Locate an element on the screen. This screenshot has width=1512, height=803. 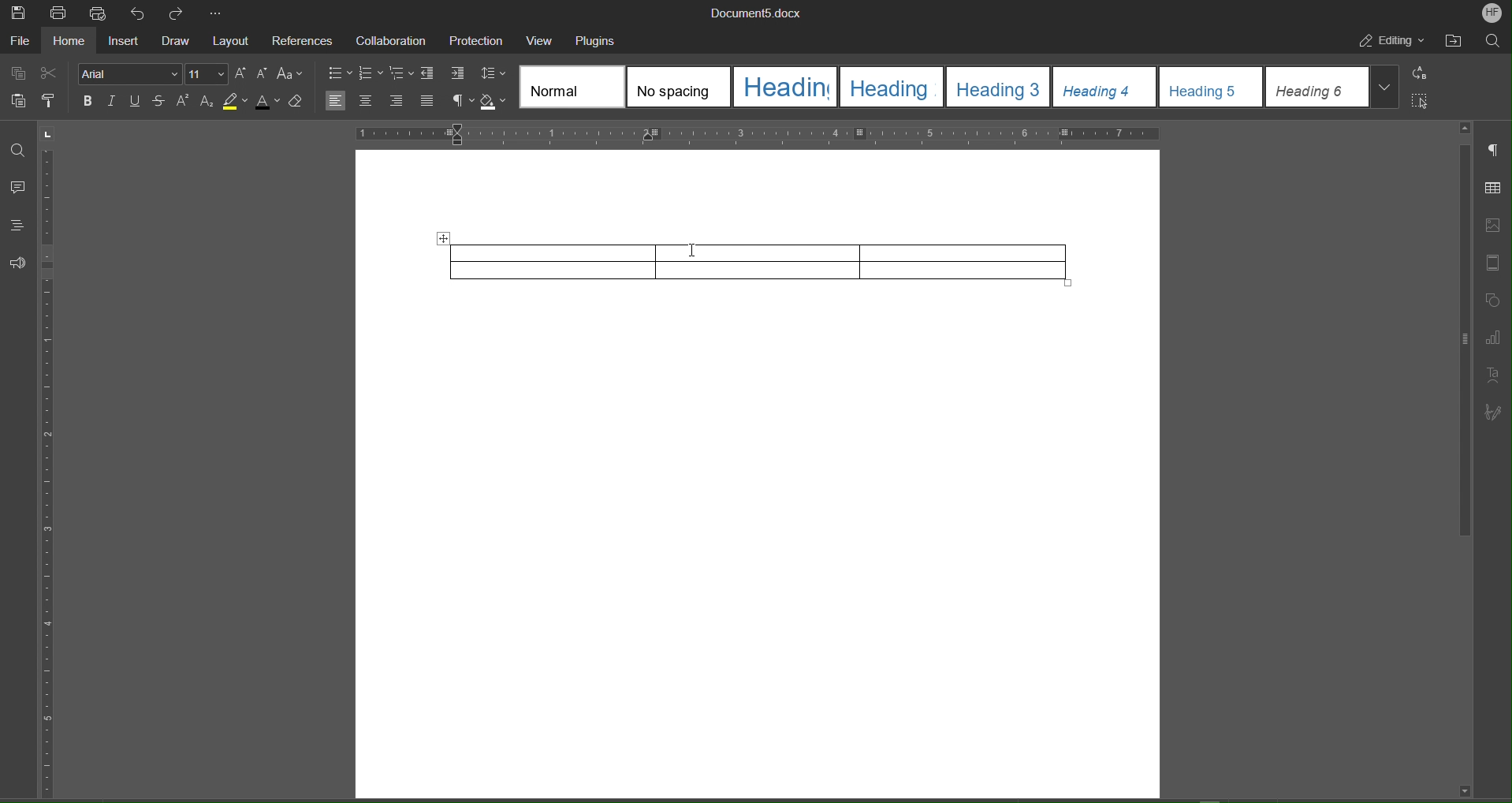
Horizontal Ruler is located at coordinates (757, 133).